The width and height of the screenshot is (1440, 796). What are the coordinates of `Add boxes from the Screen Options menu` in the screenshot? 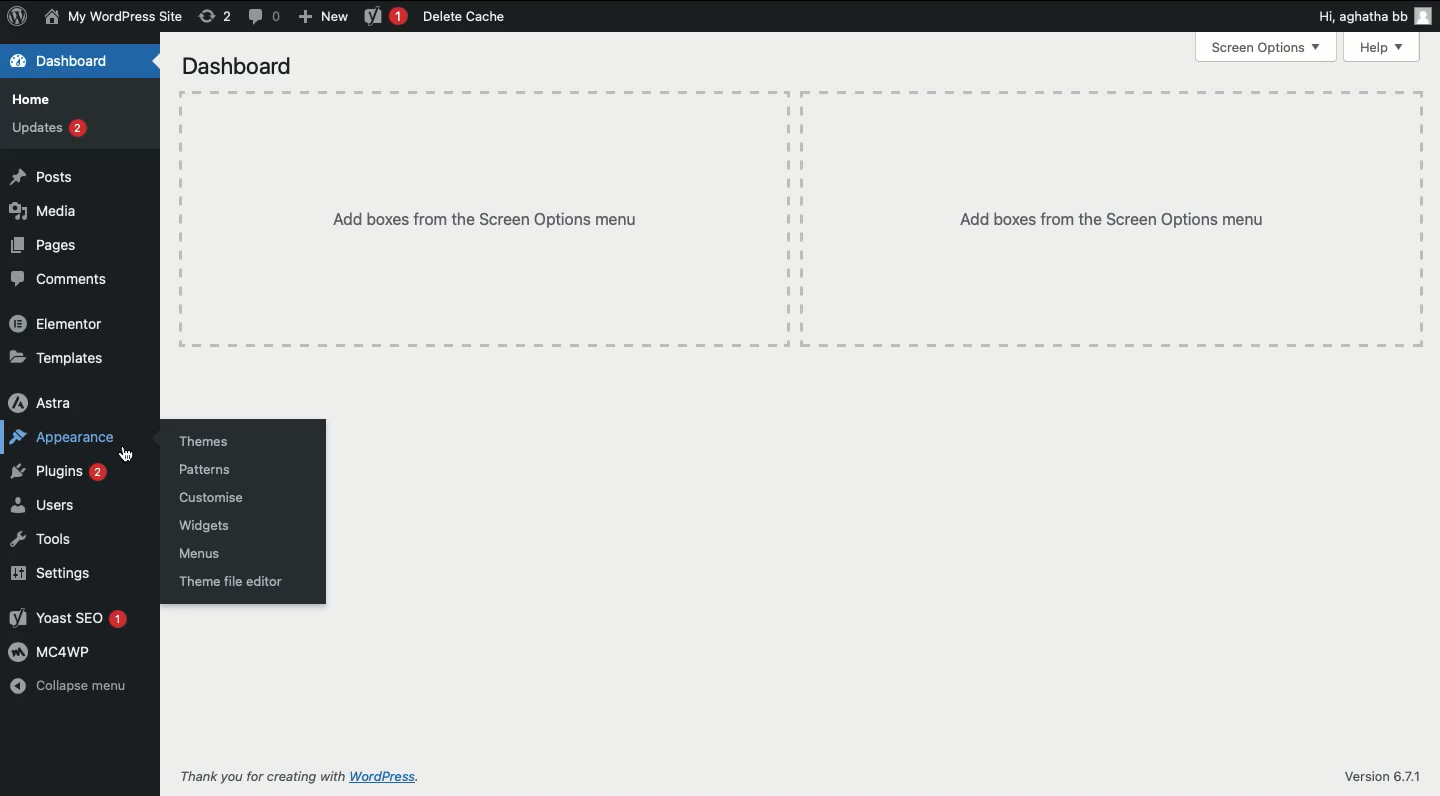 It's located at (1105, 219).